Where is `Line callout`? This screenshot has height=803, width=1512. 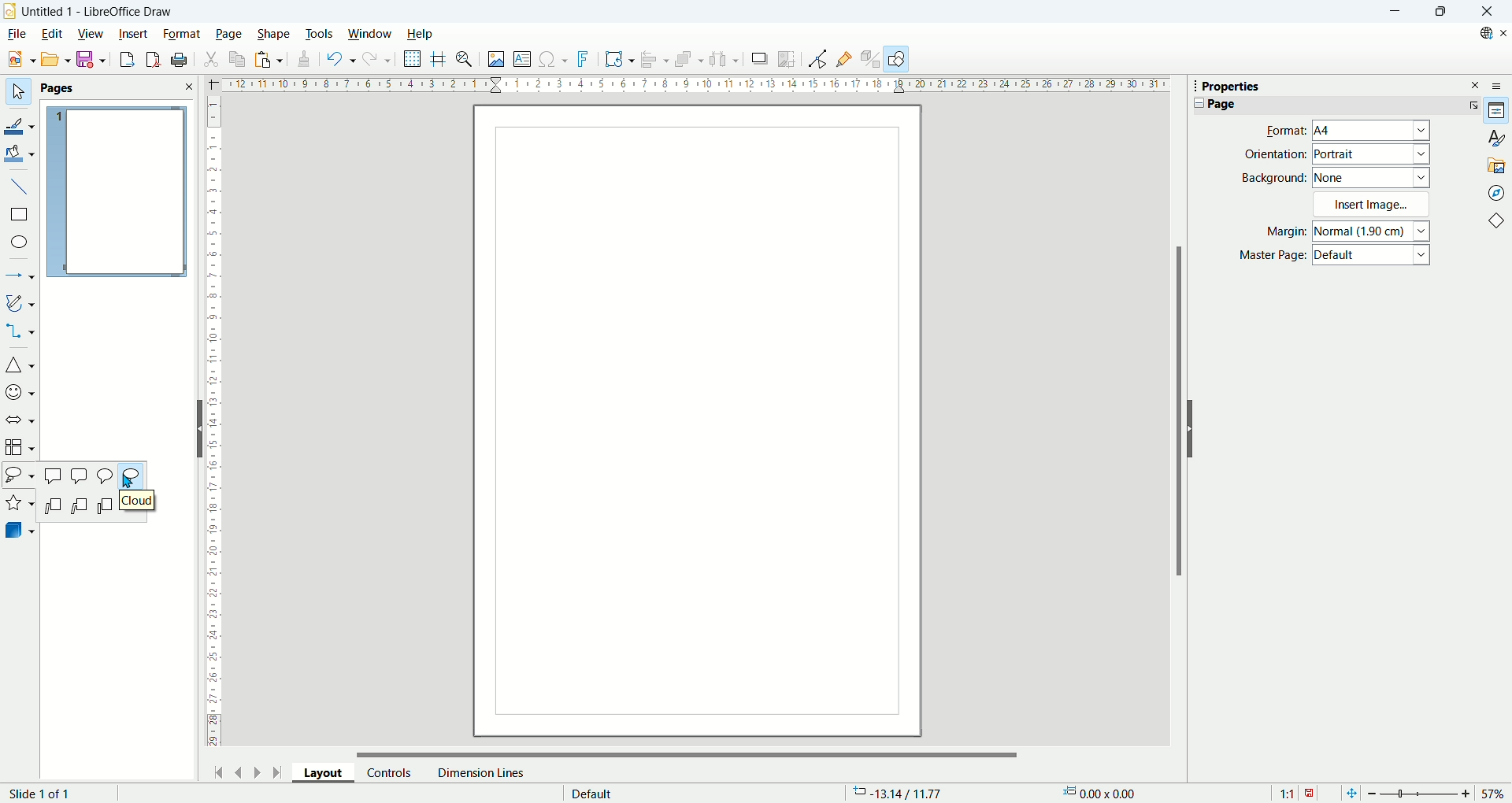 Line callout is located at coordinates (53, 505).